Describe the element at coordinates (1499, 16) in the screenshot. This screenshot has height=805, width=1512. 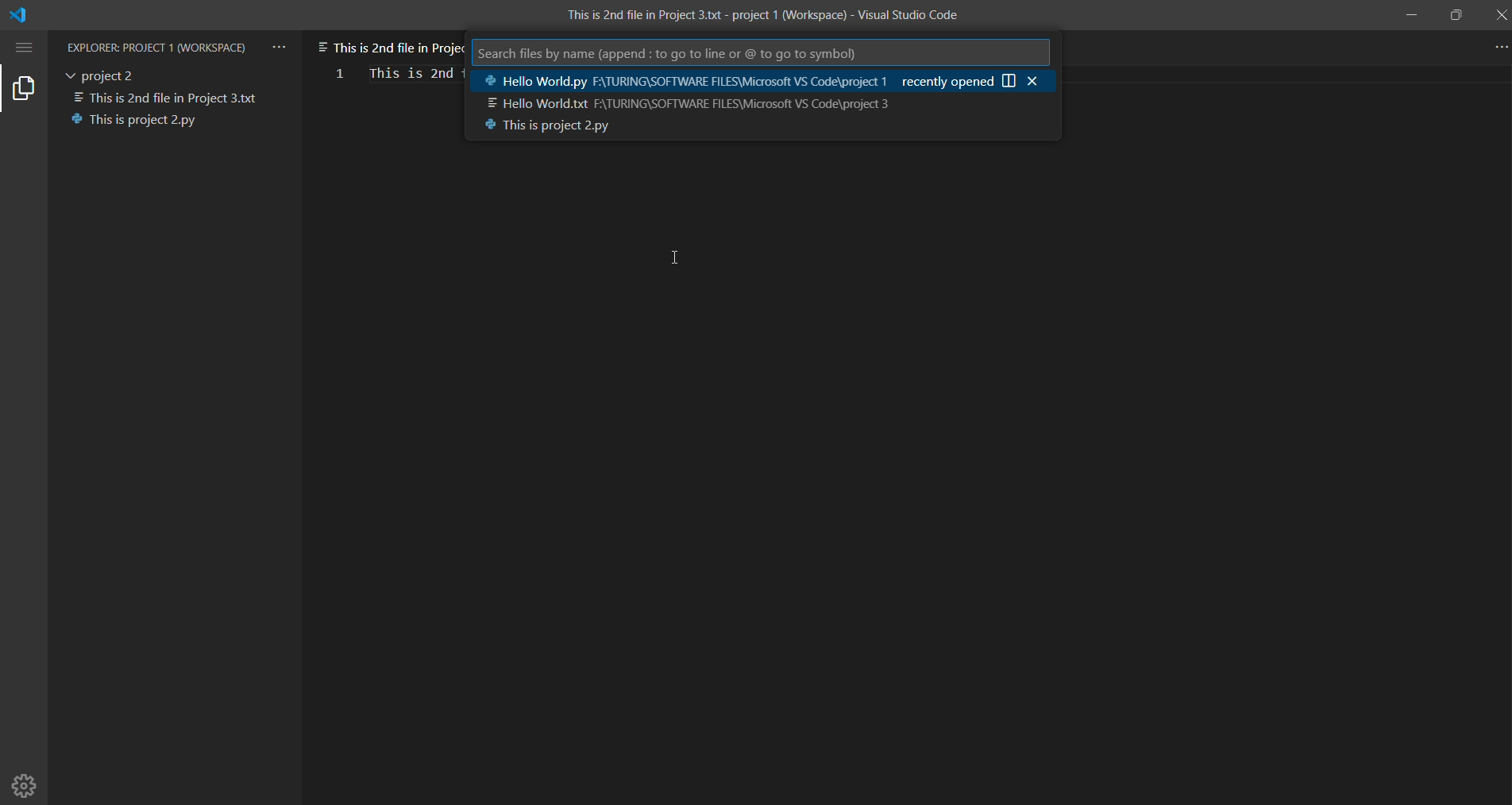
I see `close` at that location.